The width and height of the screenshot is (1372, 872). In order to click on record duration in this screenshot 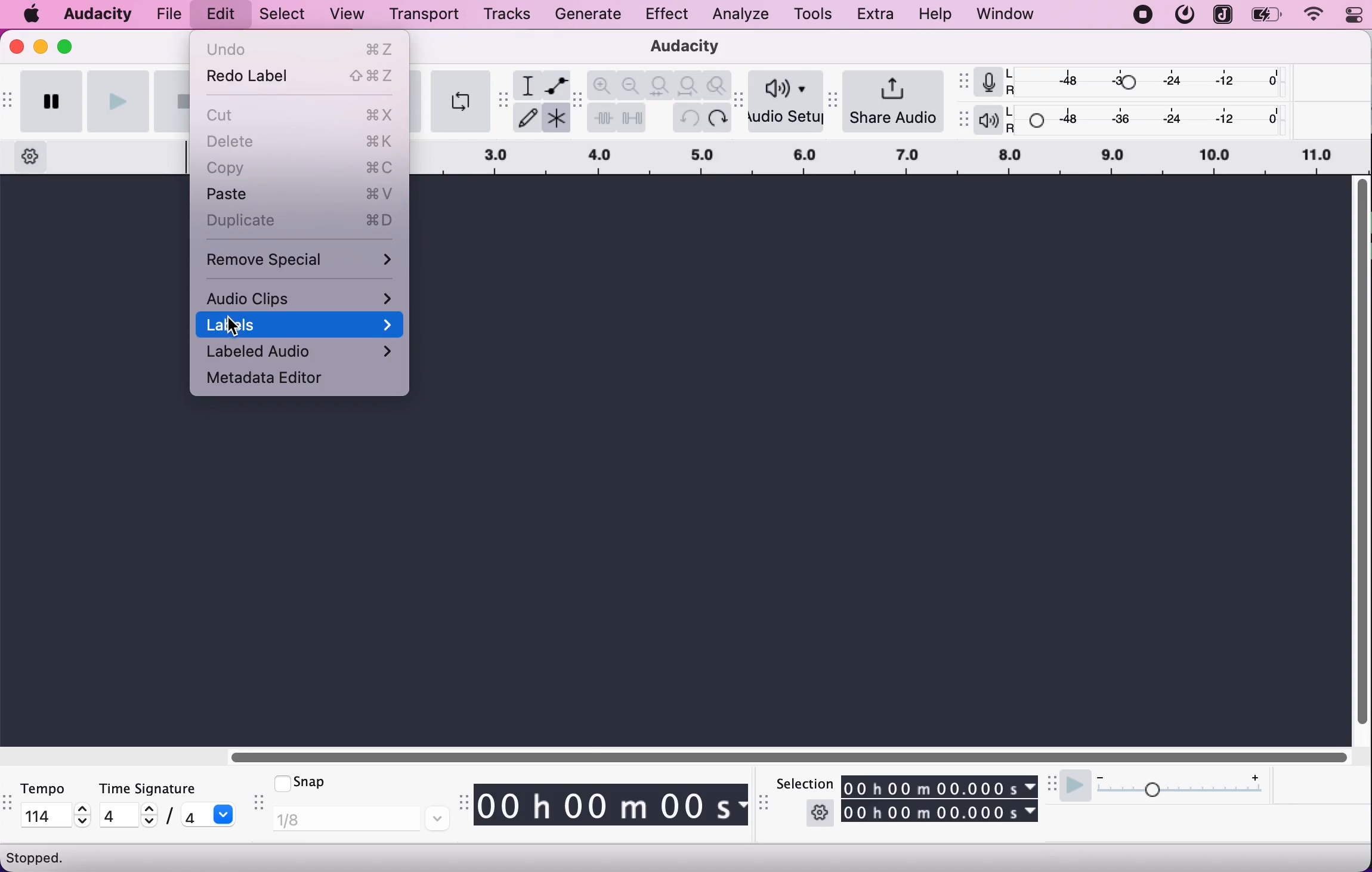, I will do `click(891, 157)`.